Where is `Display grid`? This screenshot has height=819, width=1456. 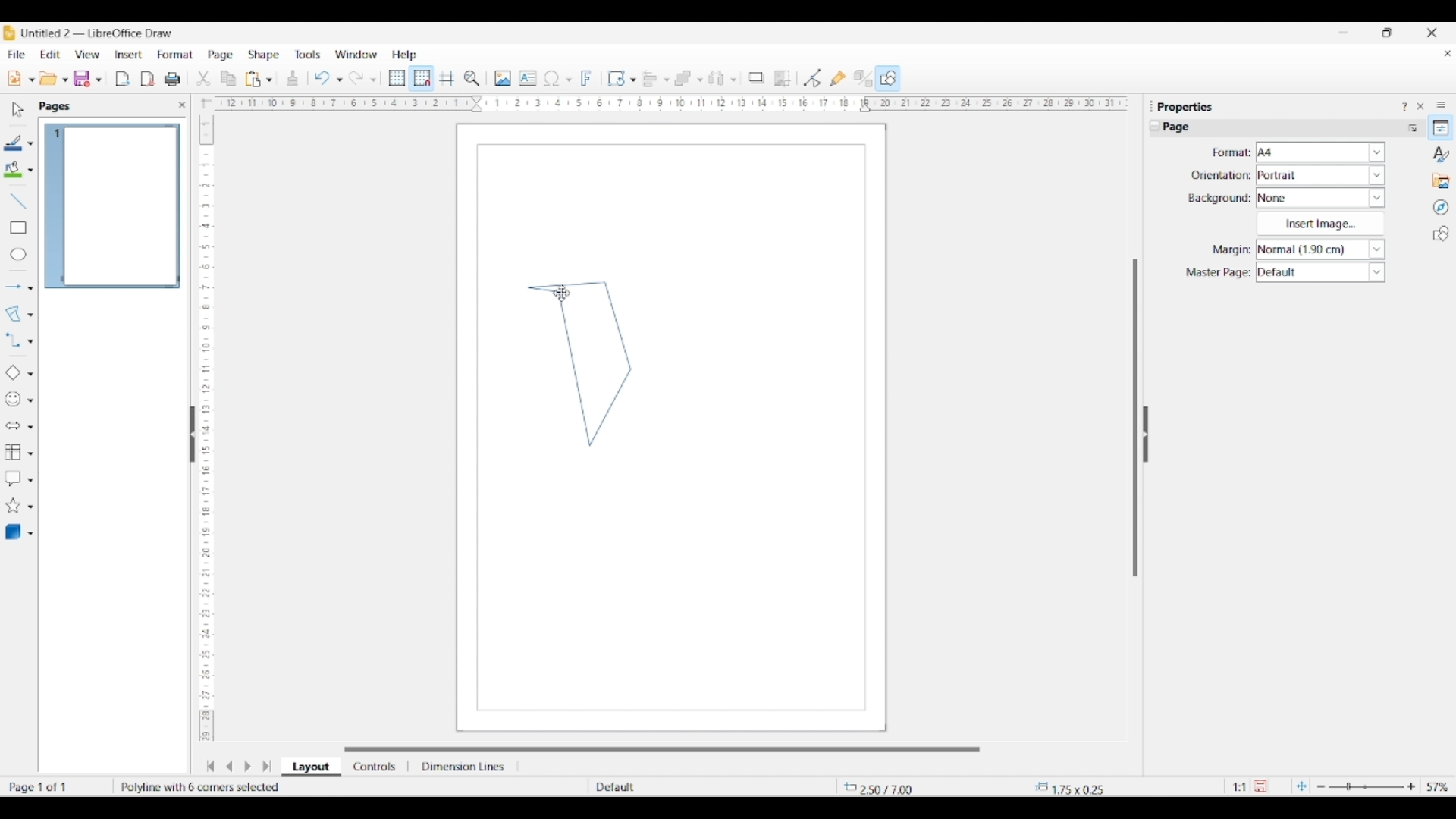
Display grid is located at coordinates (397, 79).